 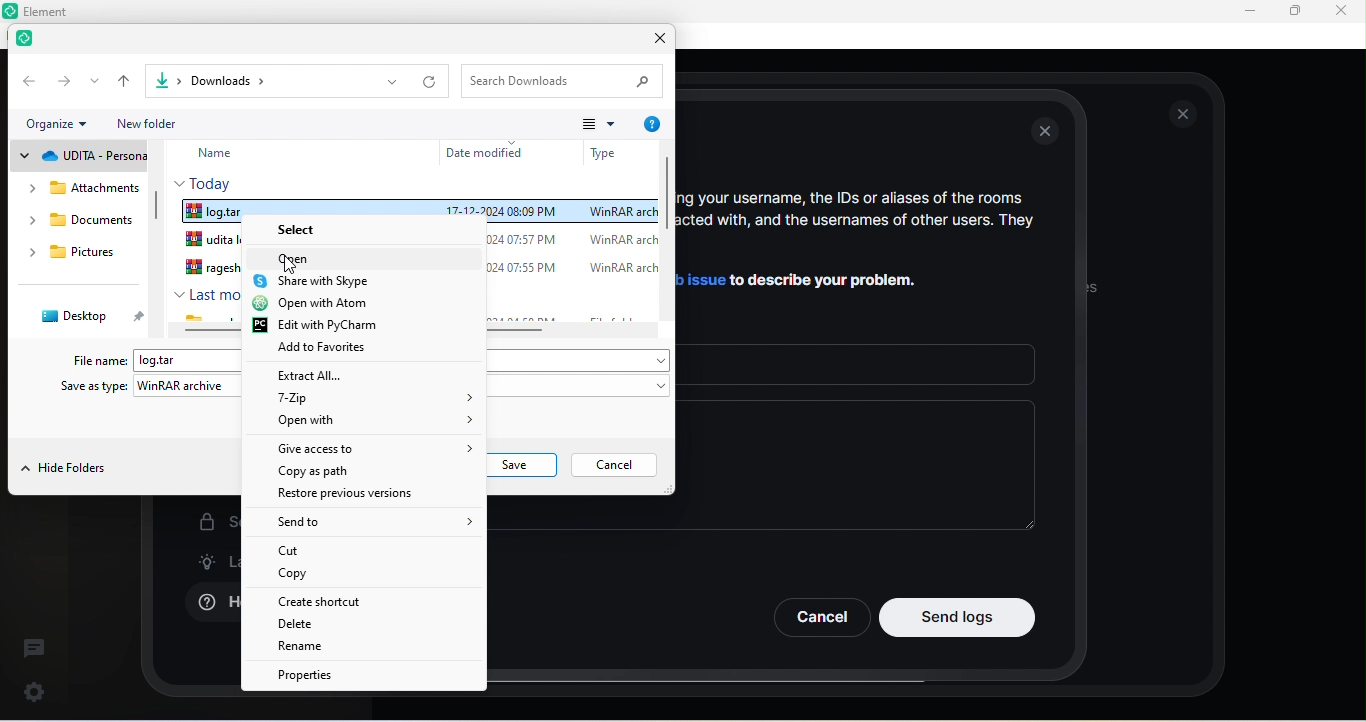 What do you see at coordinates (292, 266) in the screenshot?
I see `cursor movement` at bounding box center [292, 266].